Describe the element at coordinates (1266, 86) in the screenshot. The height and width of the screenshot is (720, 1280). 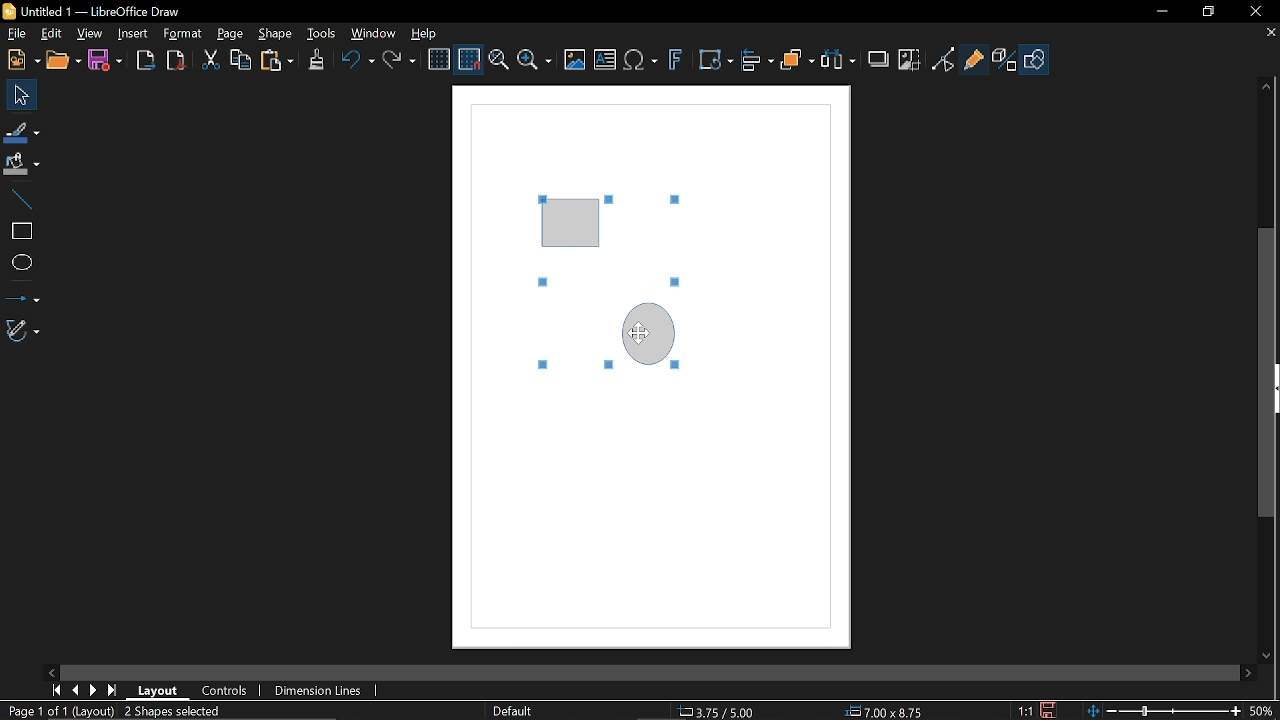
I see `Moveup` at that location.